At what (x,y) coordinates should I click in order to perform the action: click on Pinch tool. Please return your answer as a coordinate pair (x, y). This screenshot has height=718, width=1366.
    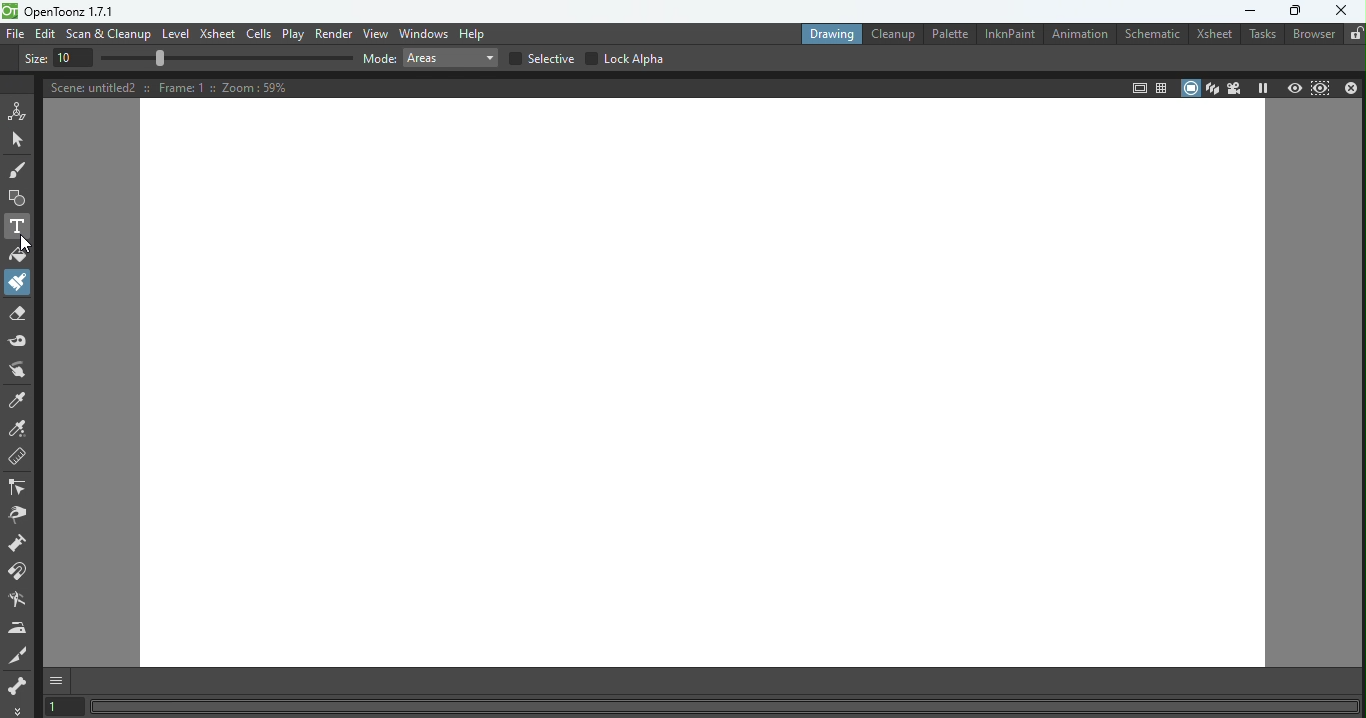
    Looking at the image, I should click on (17, 518).